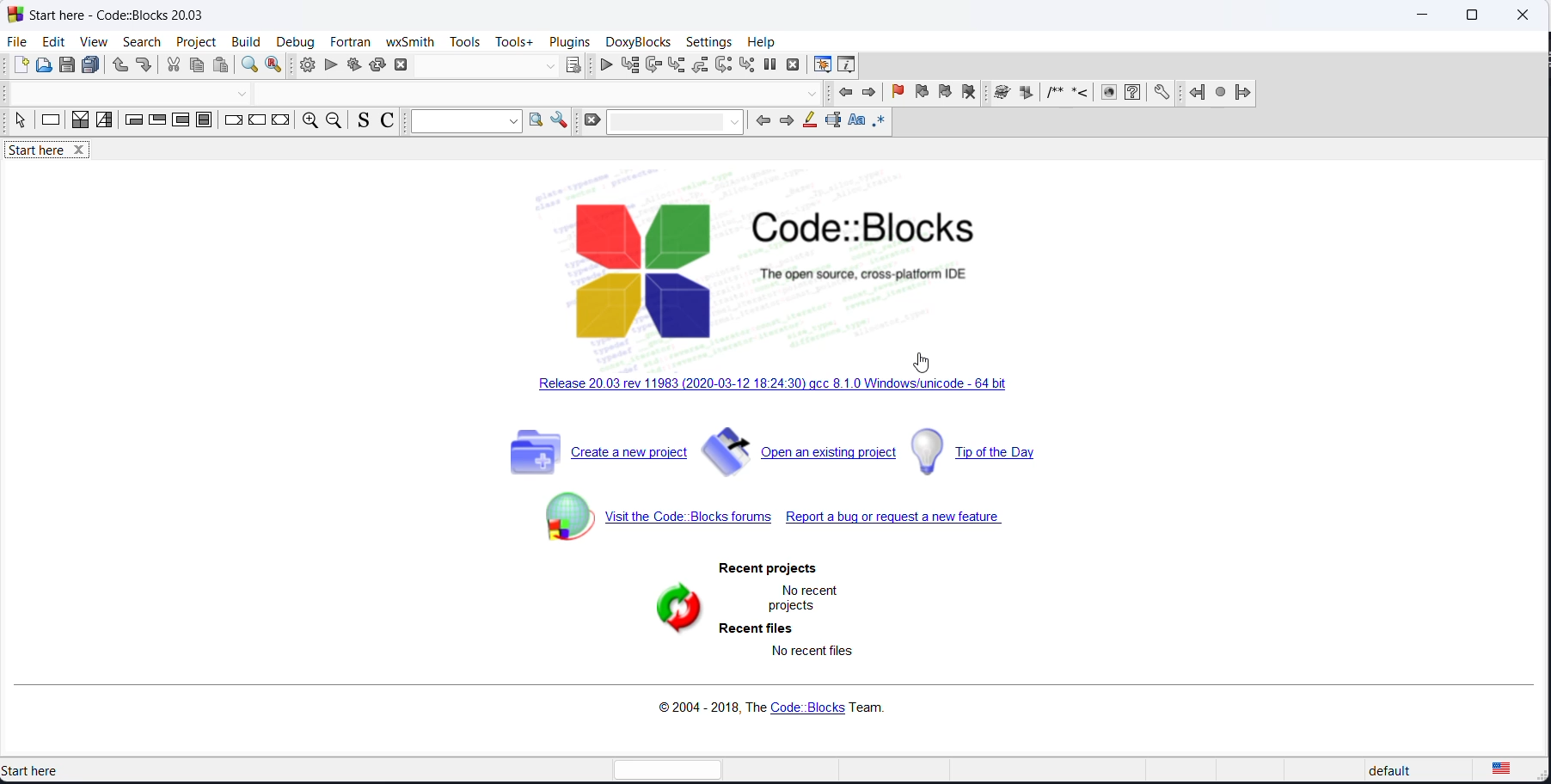 The height and width of the screenshot is (784, 1551). Describe the element at coordinates (222, 66) in the screenshot. I see `paste` at that location.